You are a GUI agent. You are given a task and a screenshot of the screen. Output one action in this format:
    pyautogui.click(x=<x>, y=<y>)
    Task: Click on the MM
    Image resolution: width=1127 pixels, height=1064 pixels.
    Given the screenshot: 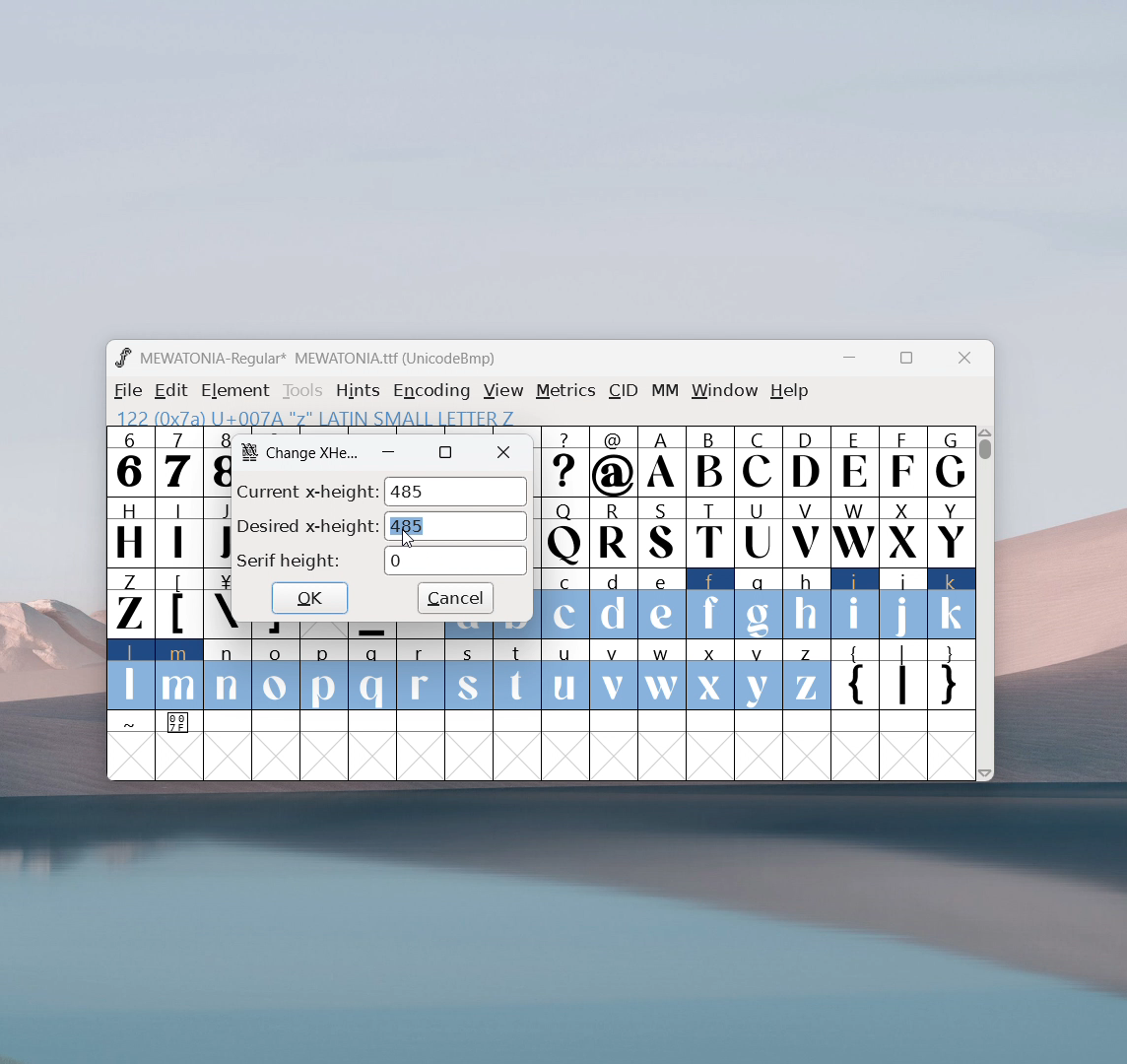 What is the action you would take?
    pyautogui.click(x=666, y=392)
    